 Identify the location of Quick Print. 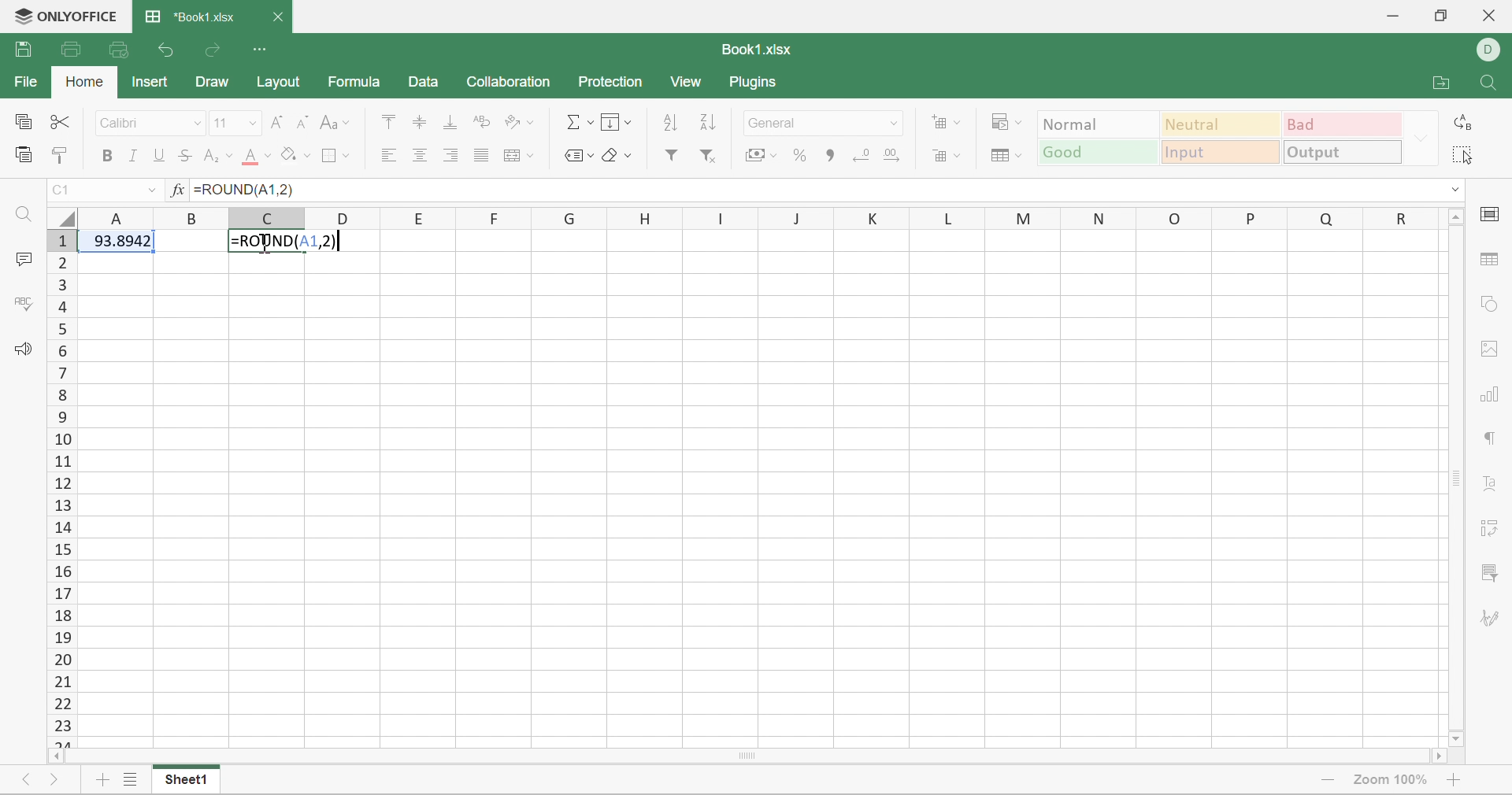
(113, 48).